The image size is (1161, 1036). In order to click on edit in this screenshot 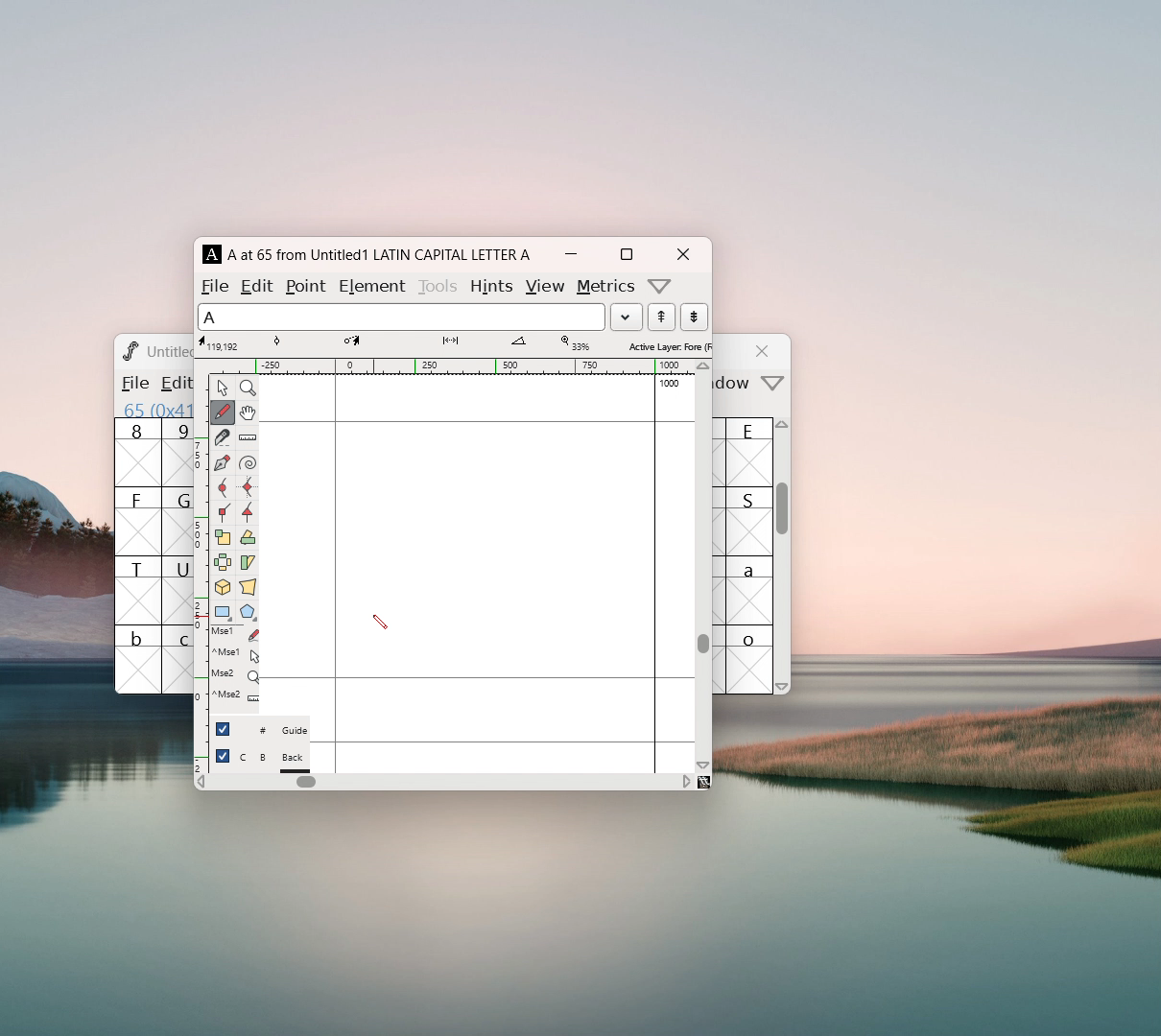, I will do `click(258, 285)`.